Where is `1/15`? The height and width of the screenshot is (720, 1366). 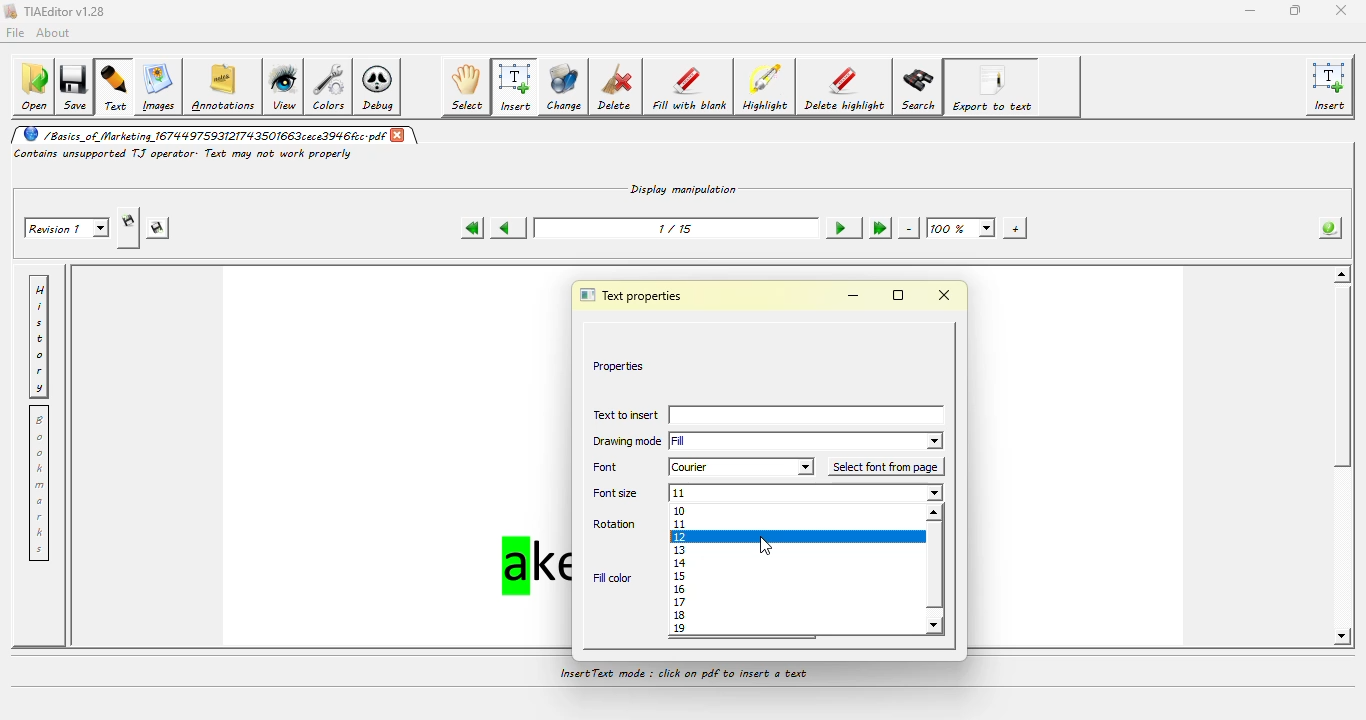
1/15 is located at coordinates (674, 227).